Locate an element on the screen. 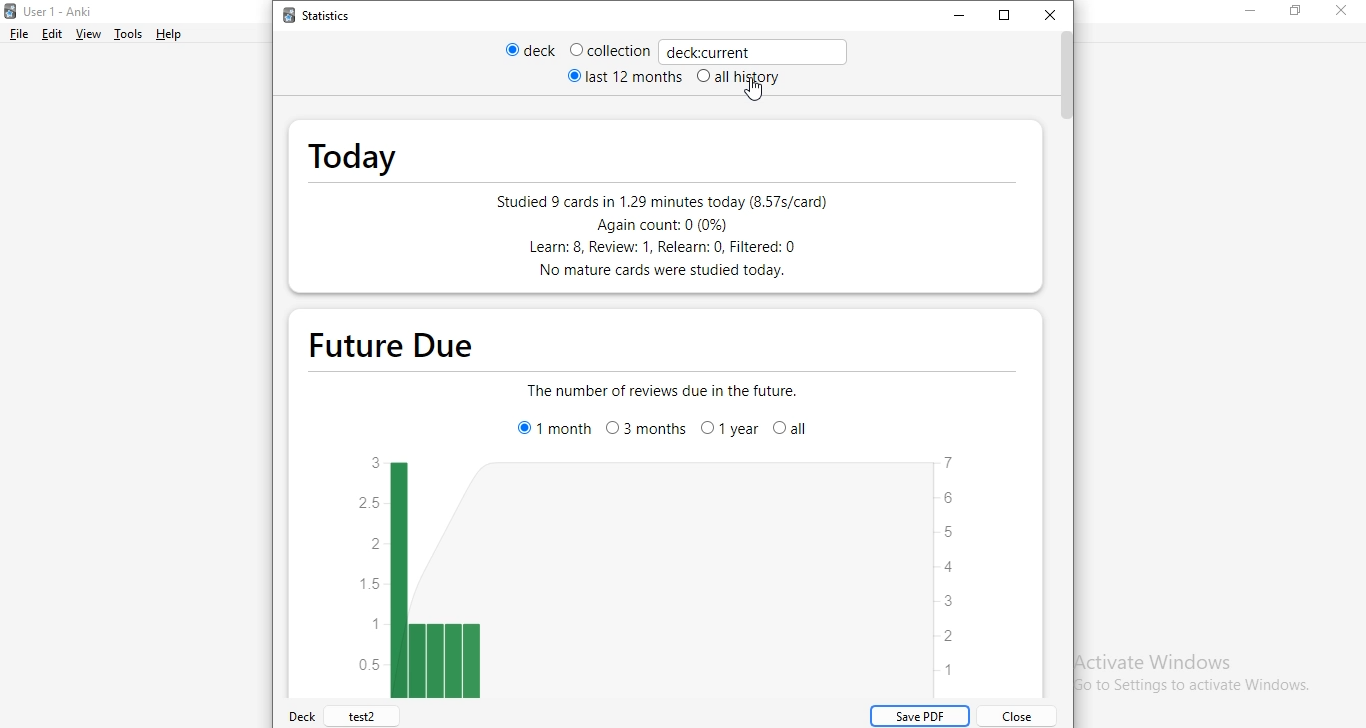  future due is located at coordinates (406, 341).